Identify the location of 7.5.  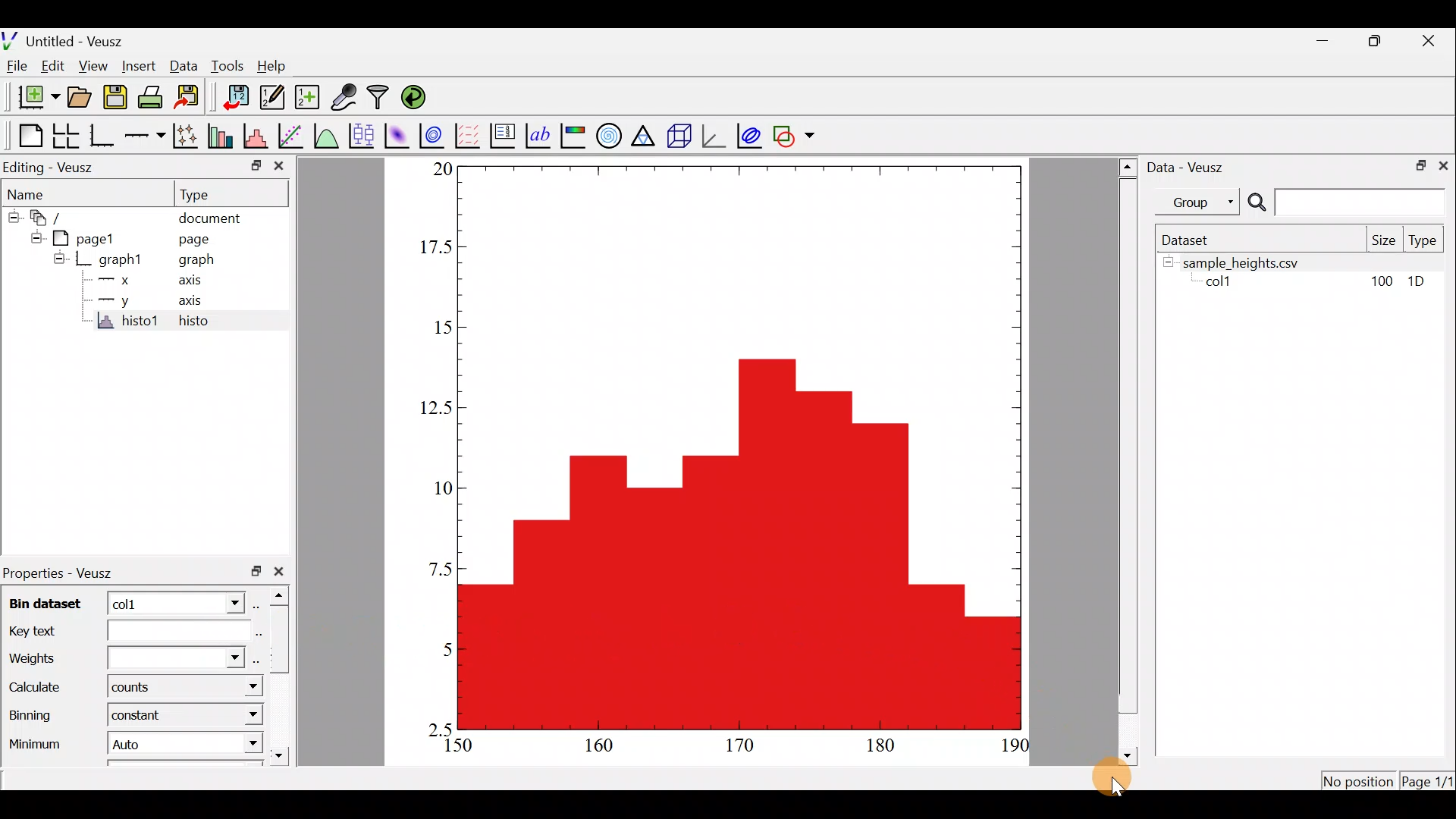
(438, 563).